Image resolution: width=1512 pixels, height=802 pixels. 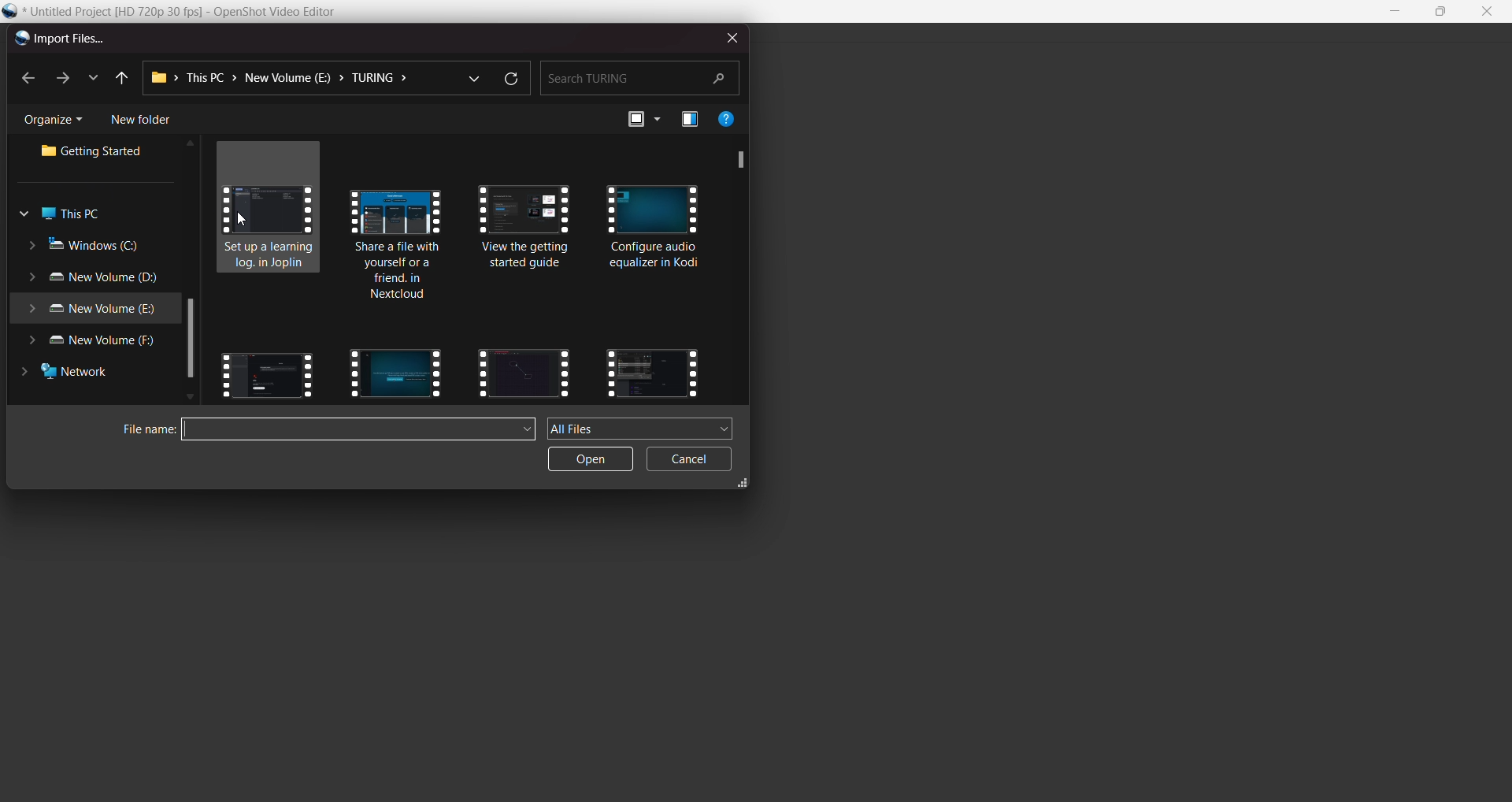 I want to click on videos, so click(x=399, y=242).